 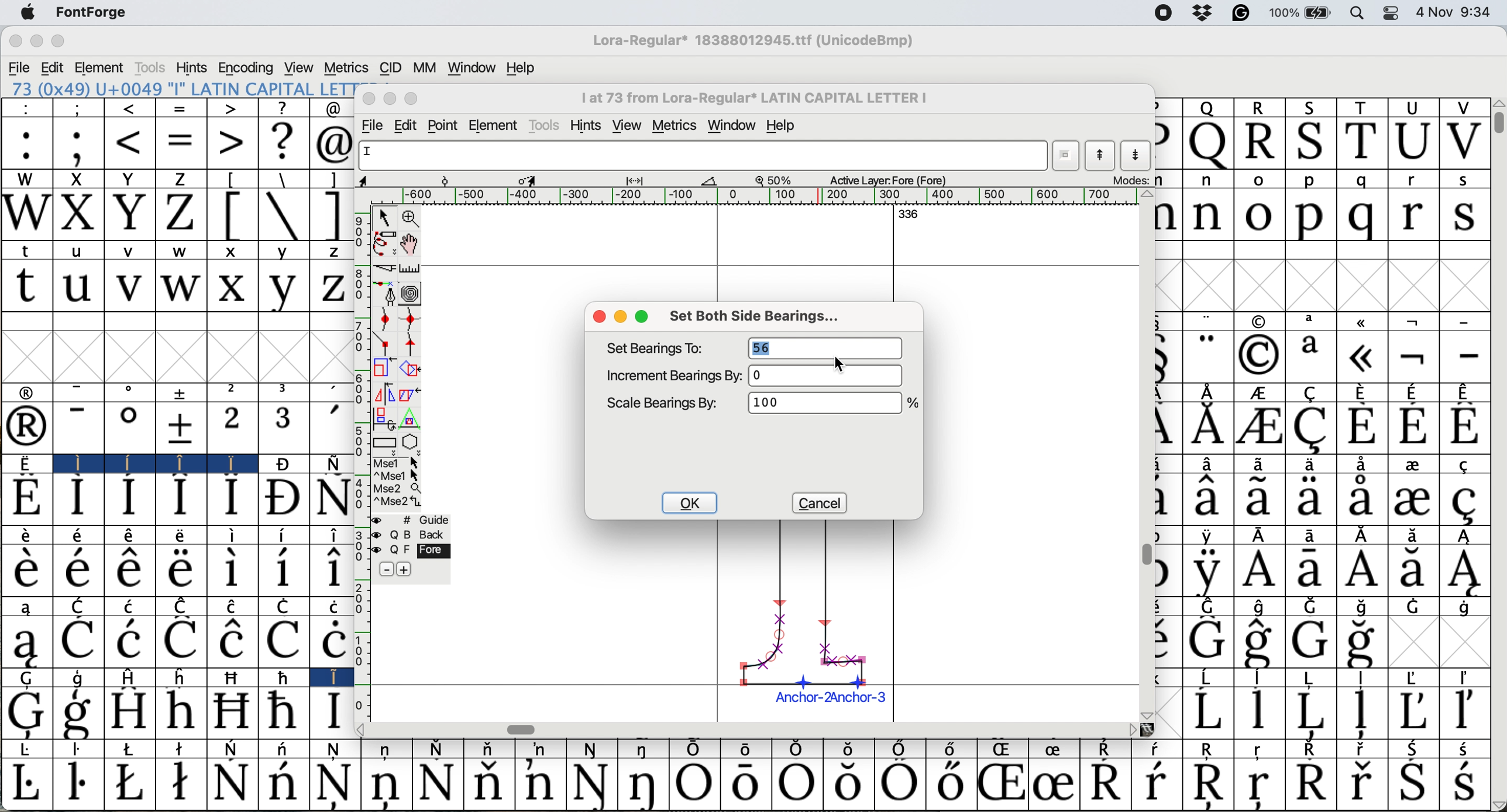 I want to click on Symbol, so click(x=1465, y=502).